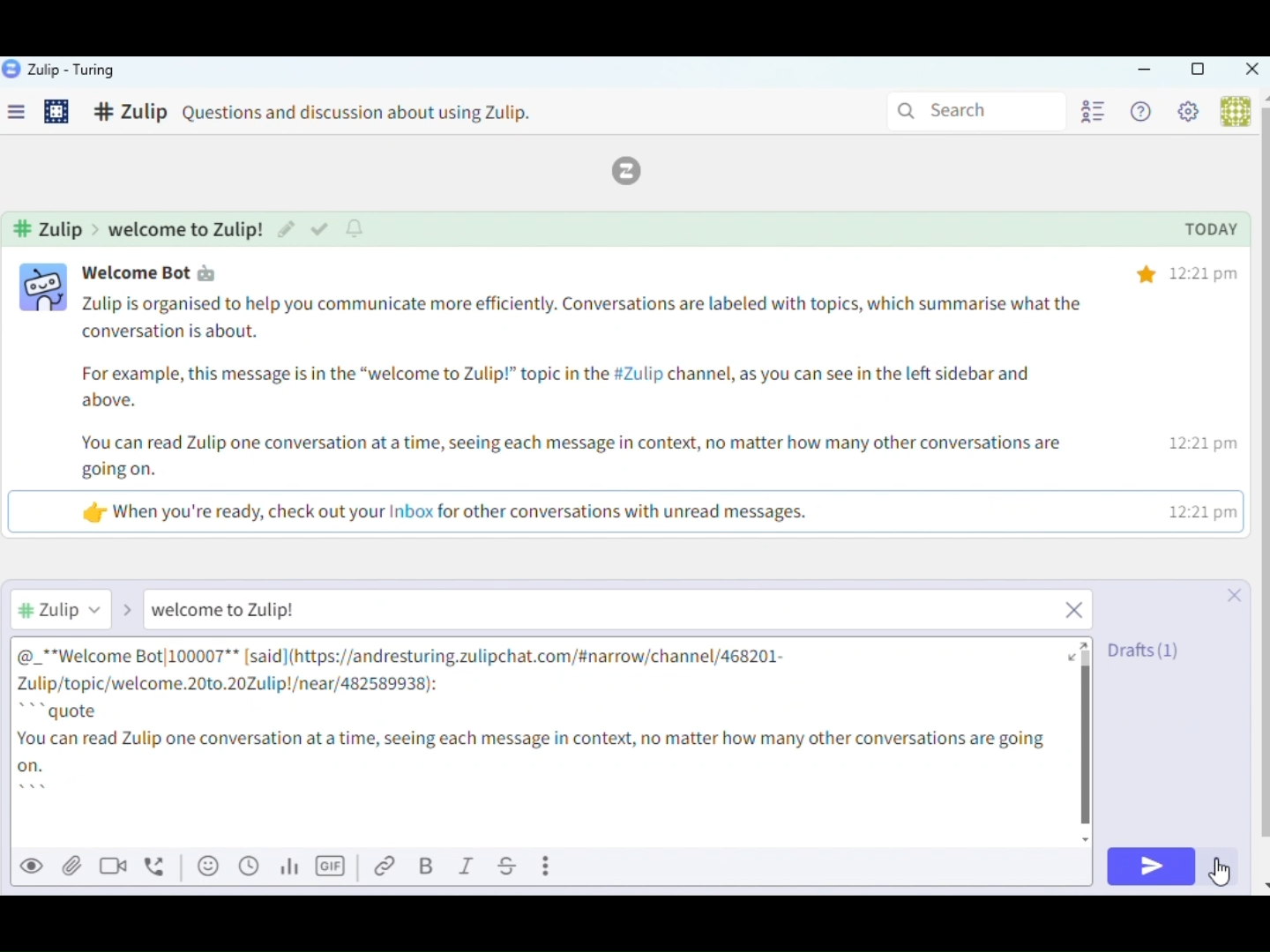  Describe the element at coordinates (294, 867) in the screenshot. I see `Stats` at that location.